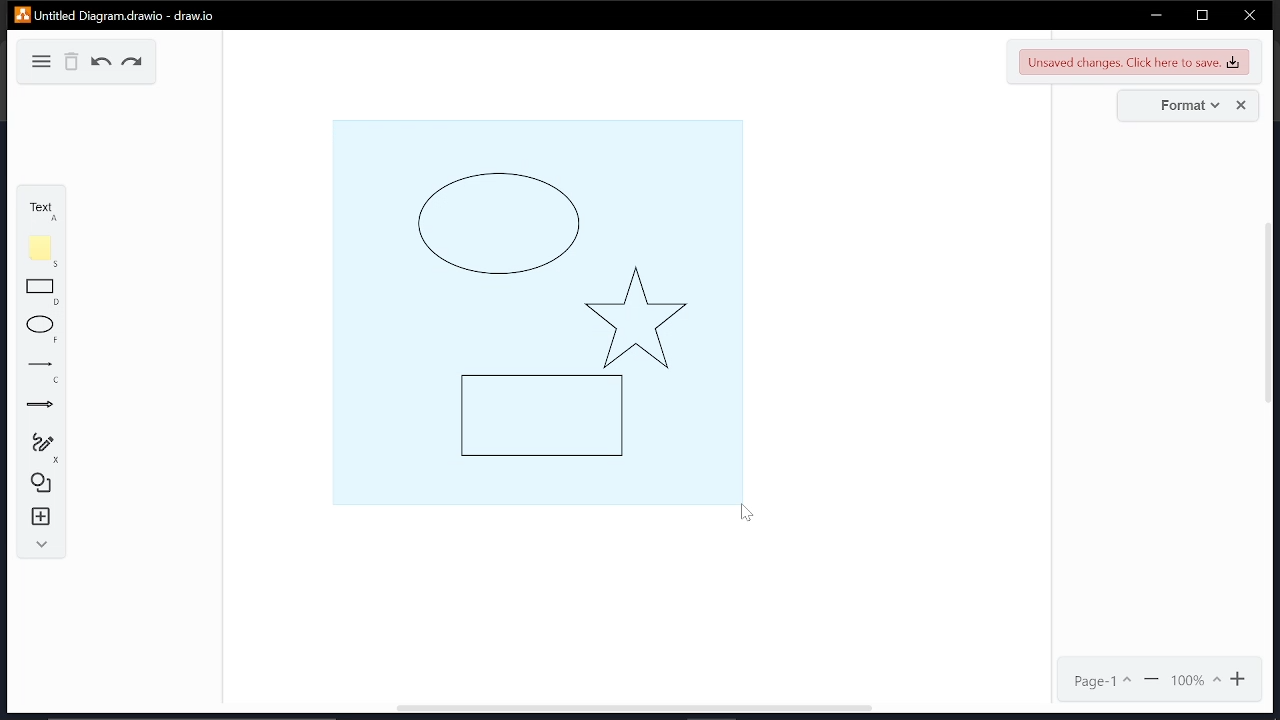 The width and height of the screenshot is (1280, 720). Describe the element at coordinates (102, 63) in the screenshot. I see `undo` at that location.